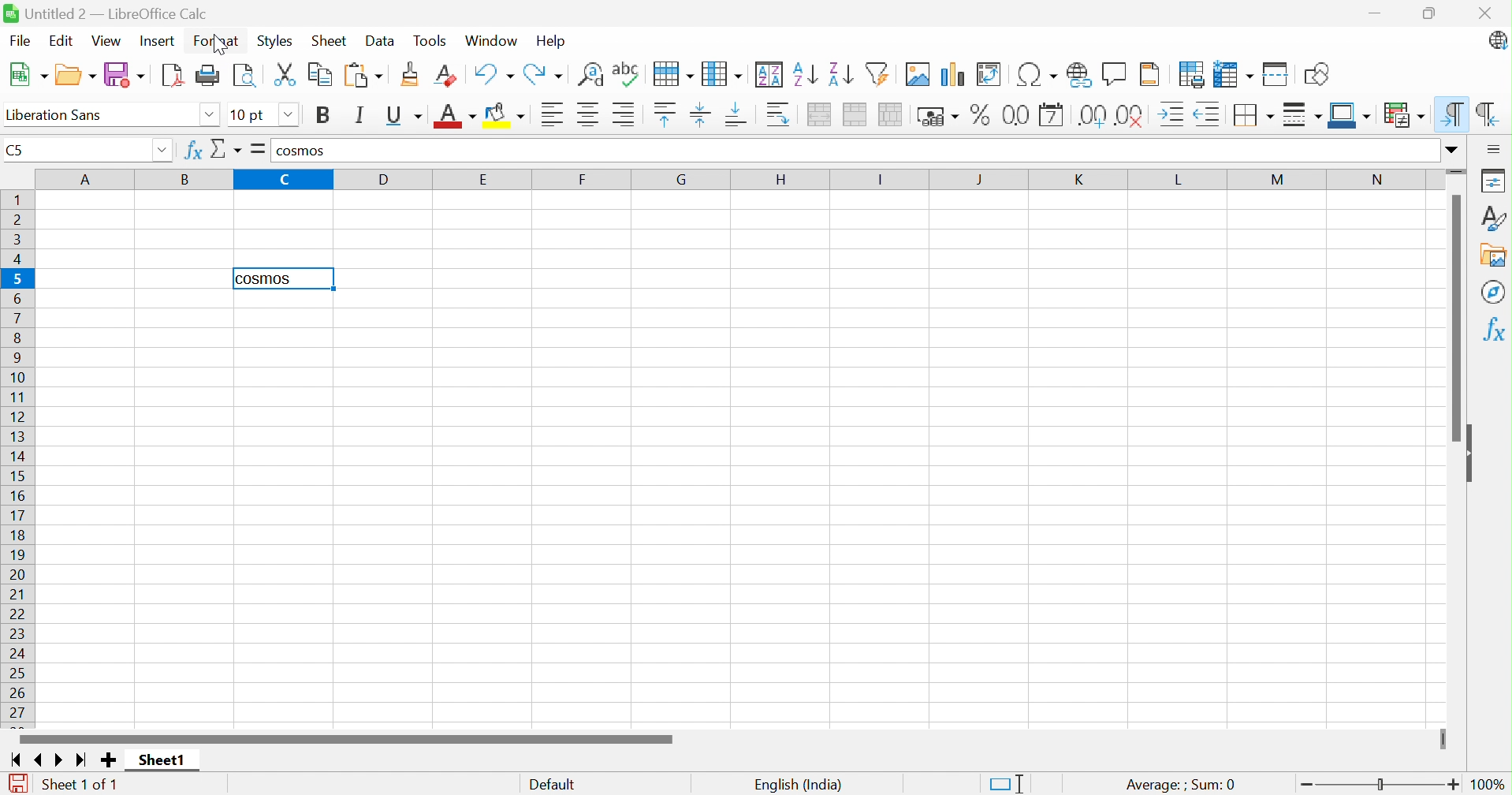 This screenshot has width=1512, height=795. Describe the element at coordinates (490, 39) in the screenshot. I see `Window` at that location.